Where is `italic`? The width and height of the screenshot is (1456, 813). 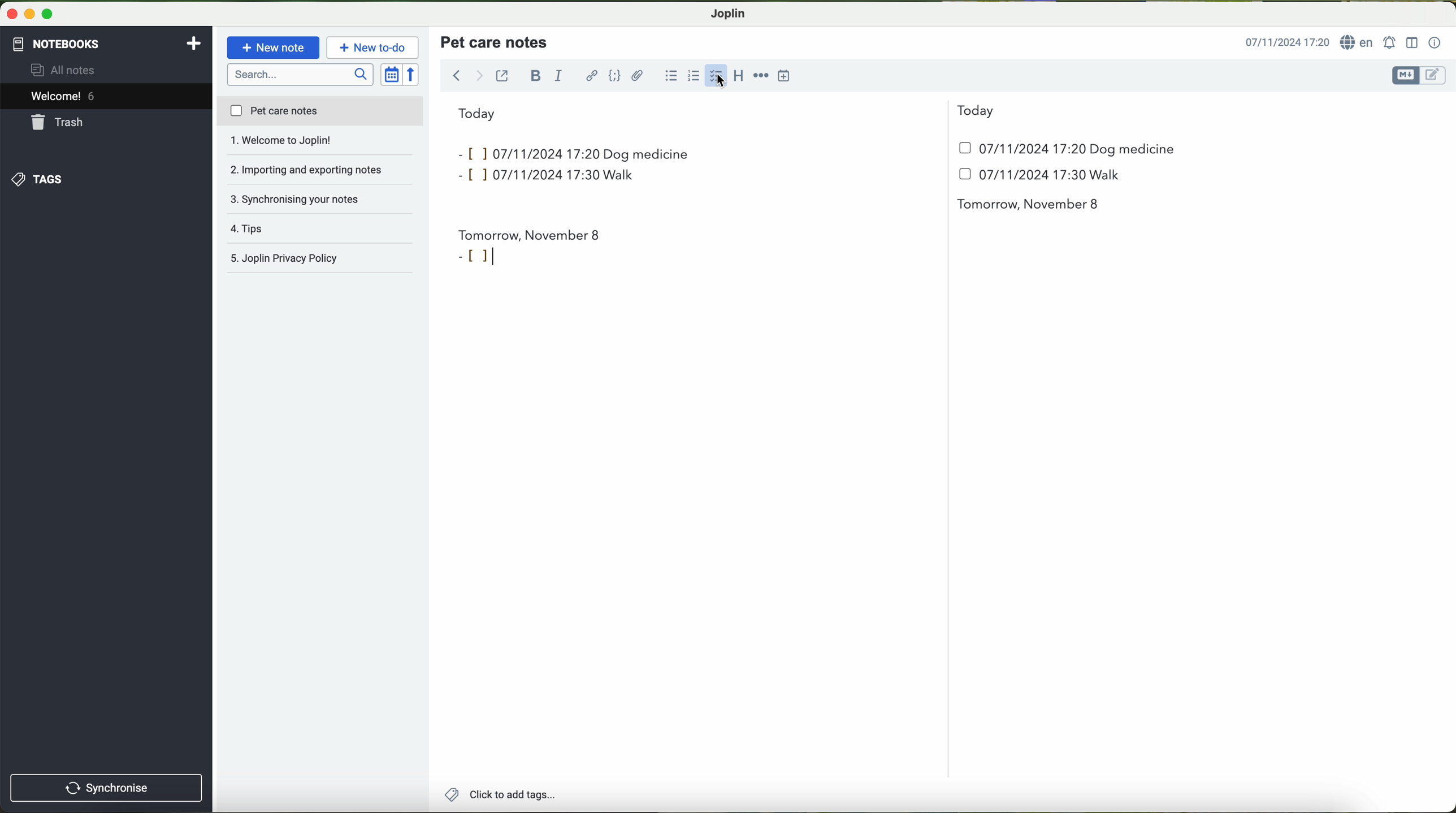
italic is located at coordinates (557, 76).